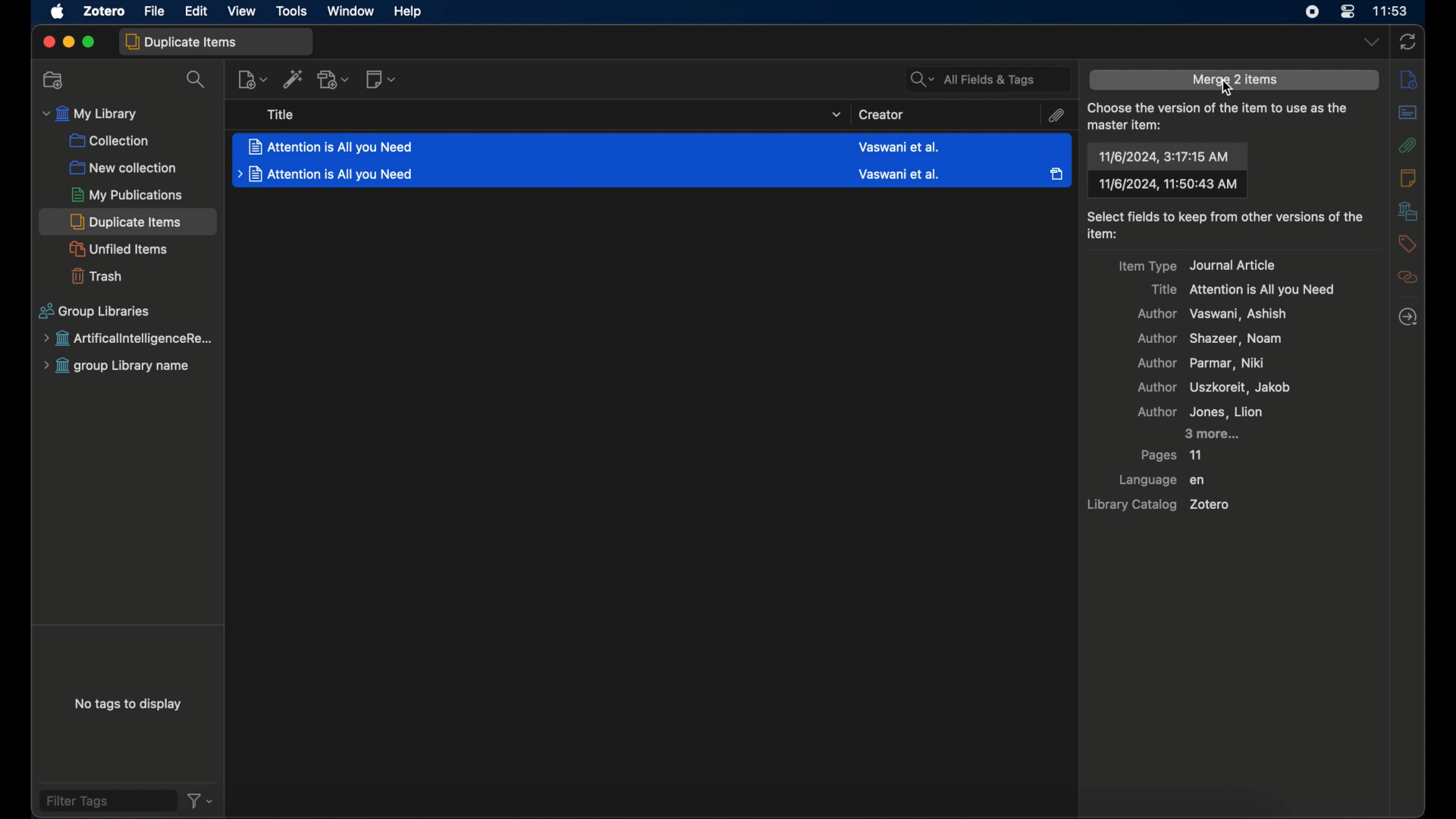 This screenshot has height=819, width=1456. Describe the element at coordinates (1229, 227) in the screenshot. I see `select fields to keep from other versions of the item` at that location.